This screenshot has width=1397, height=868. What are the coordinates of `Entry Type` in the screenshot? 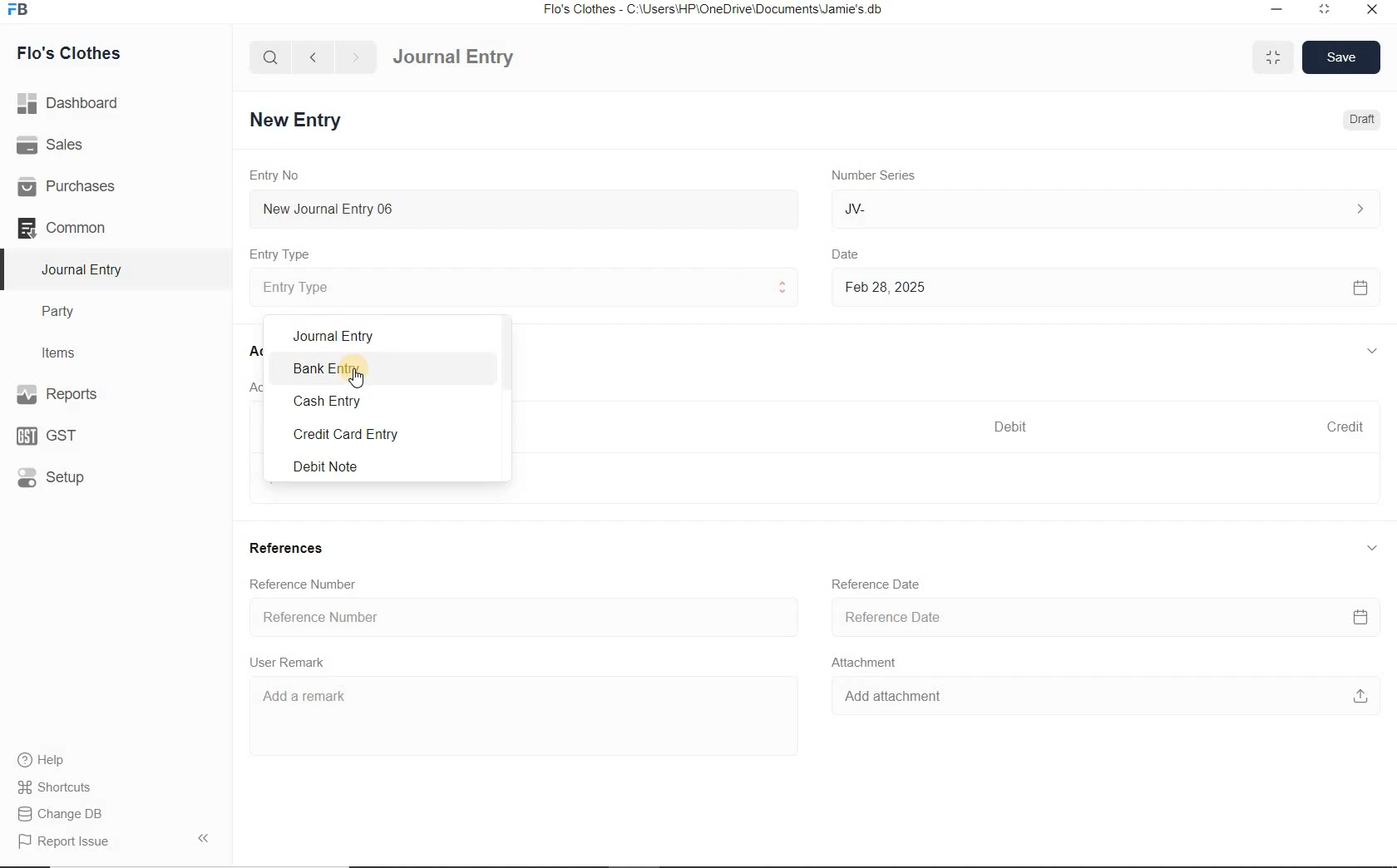 It's located at (525, 285).